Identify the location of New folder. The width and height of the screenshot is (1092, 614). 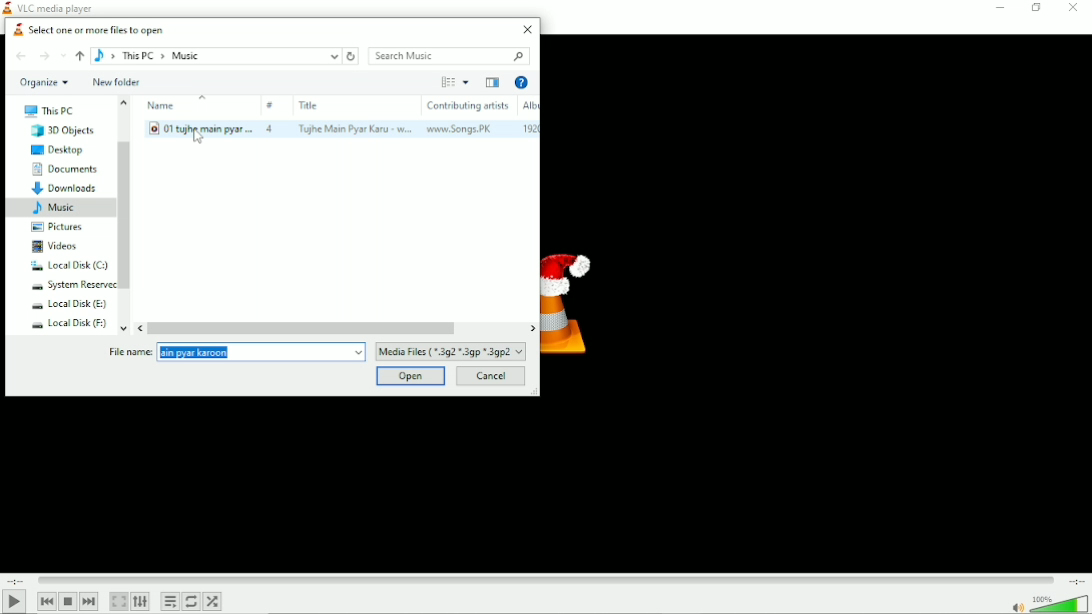
(116, 83).